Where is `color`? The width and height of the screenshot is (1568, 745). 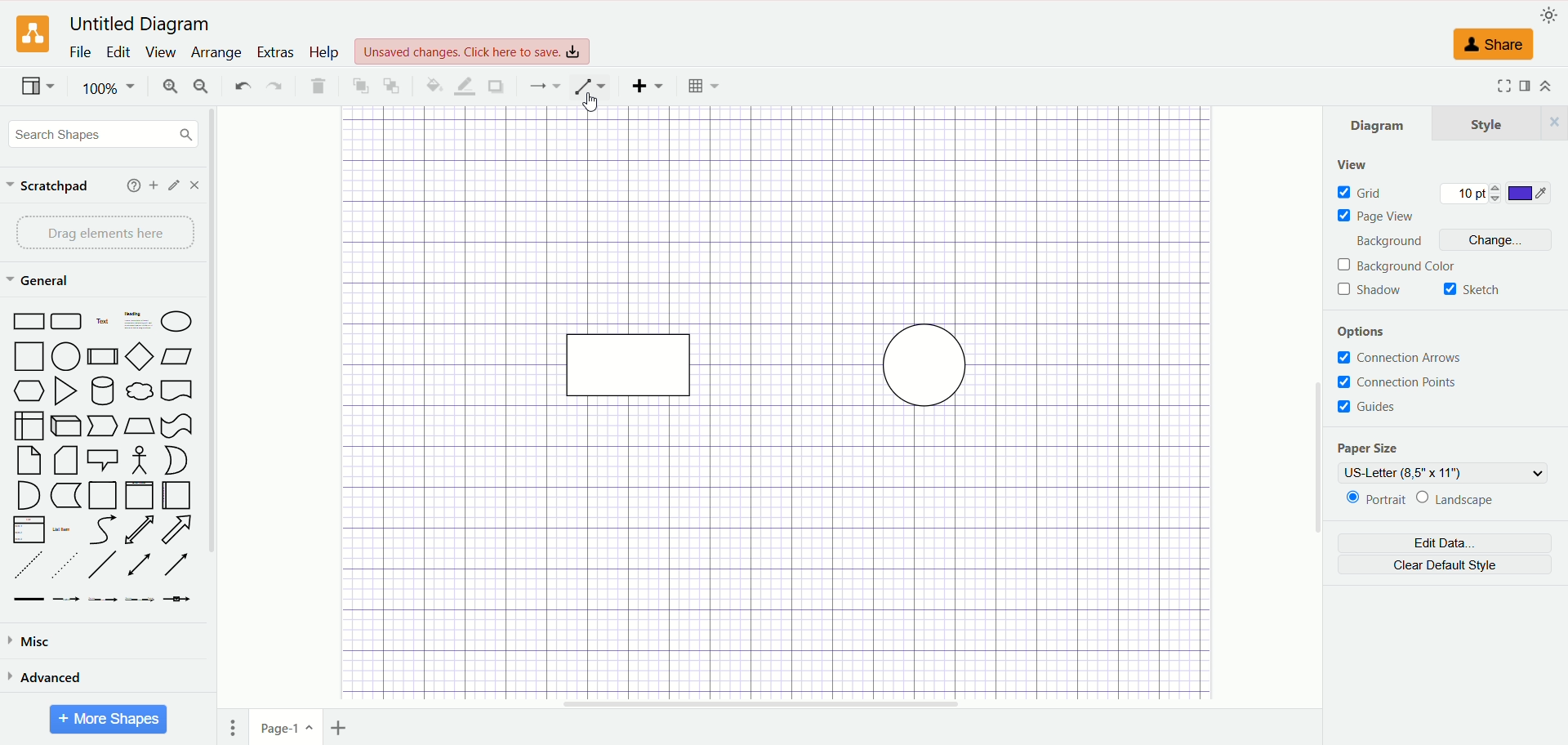 color is located at coordinates (1527, 191).